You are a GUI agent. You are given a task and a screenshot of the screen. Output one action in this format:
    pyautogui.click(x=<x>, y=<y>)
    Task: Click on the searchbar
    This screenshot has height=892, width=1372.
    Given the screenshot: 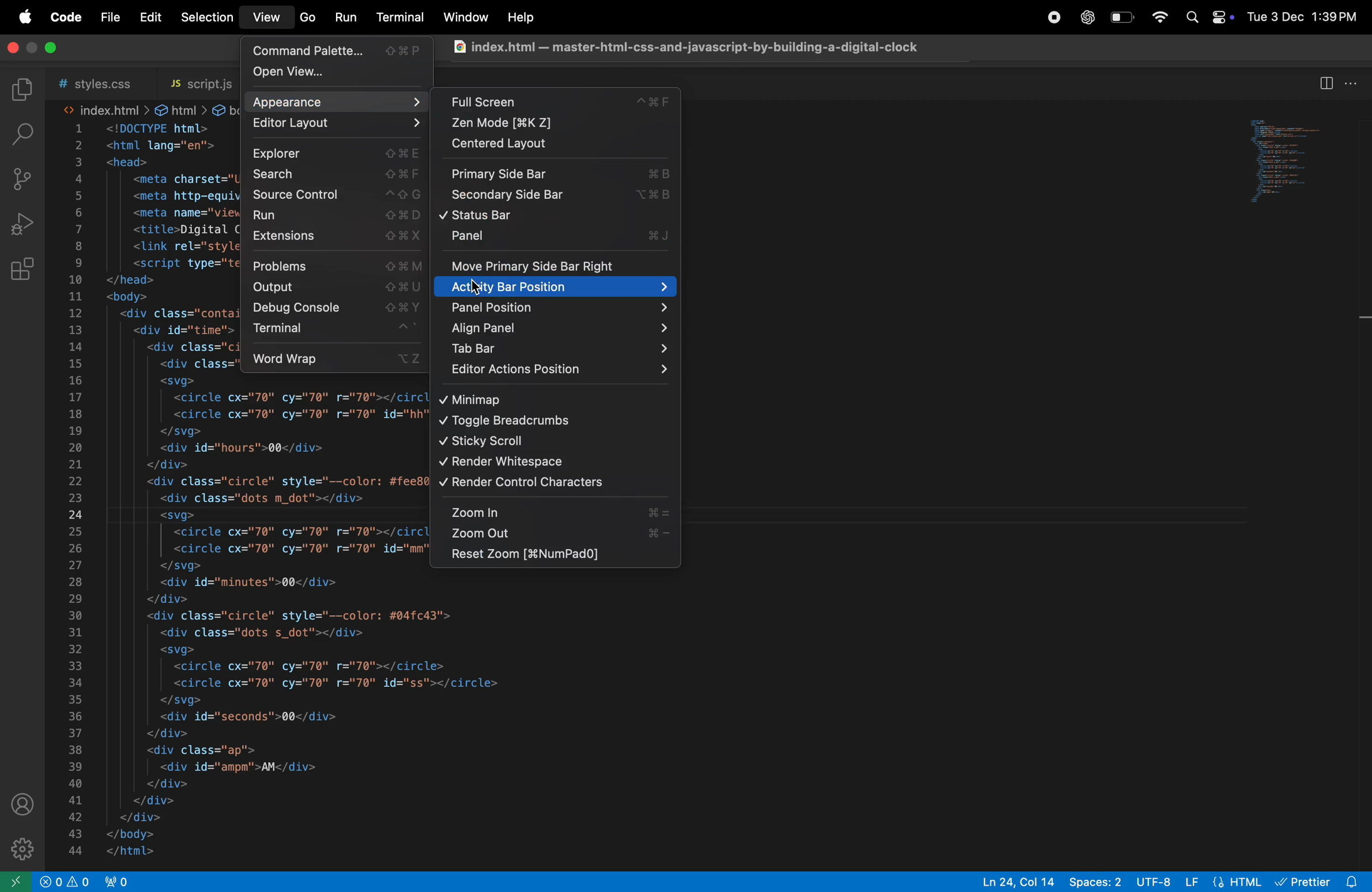 What is the action you would take?
    pyautogui.click(x=20, y=133)
    